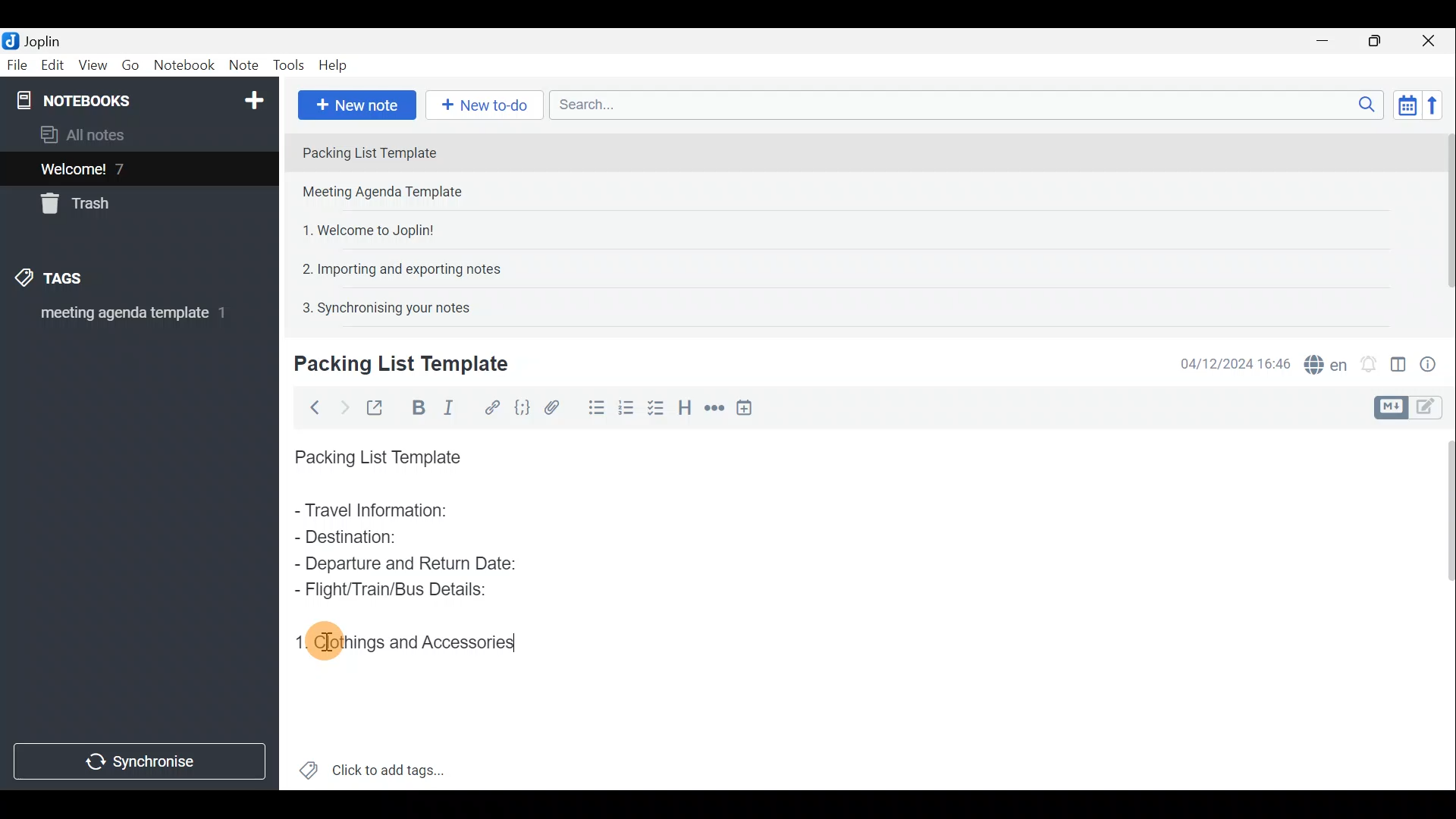  I want to click on Travel Information:, so click(384, 512).